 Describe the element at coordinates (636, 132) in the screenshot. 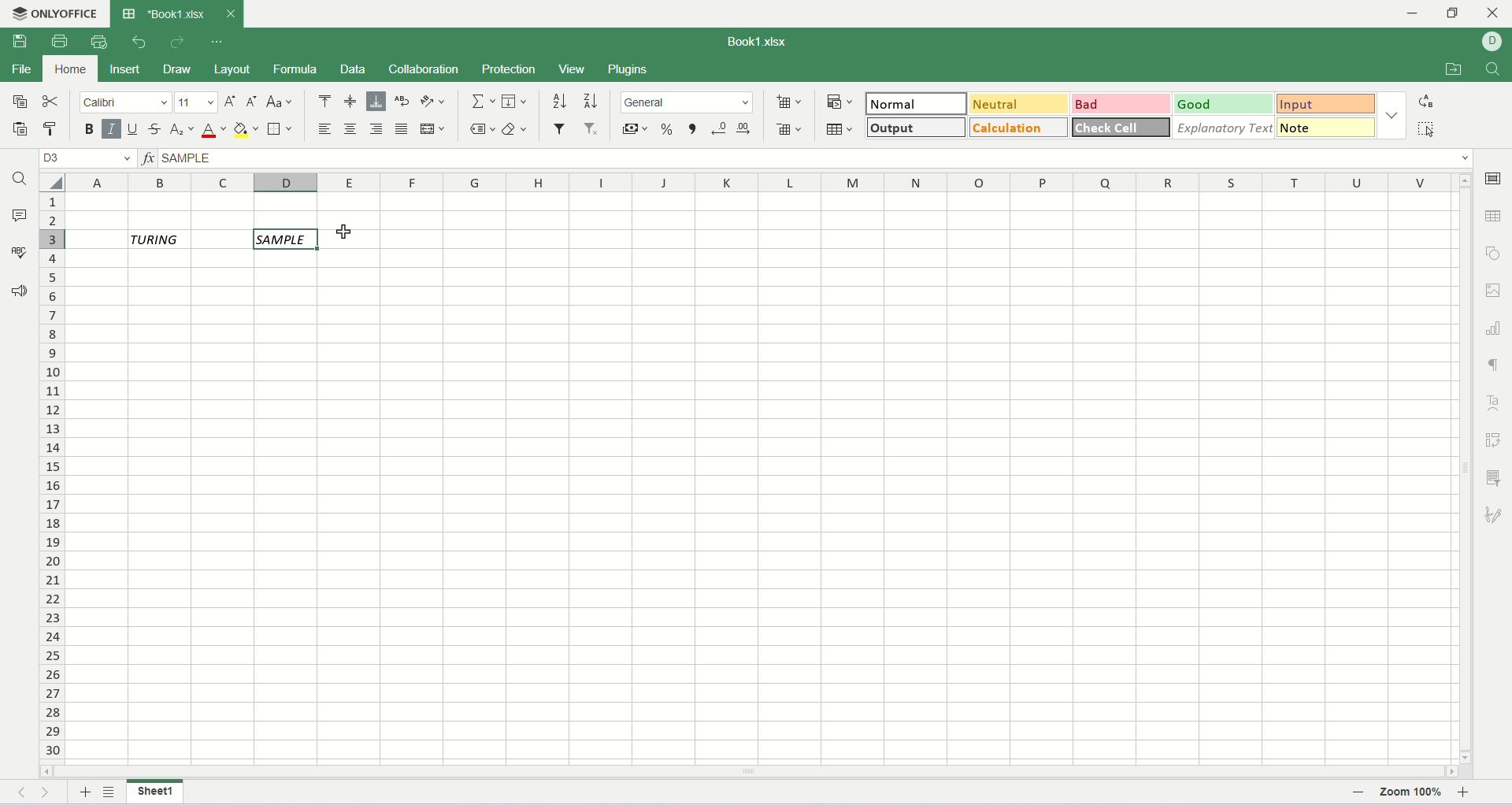

I see `currency style` at that location.